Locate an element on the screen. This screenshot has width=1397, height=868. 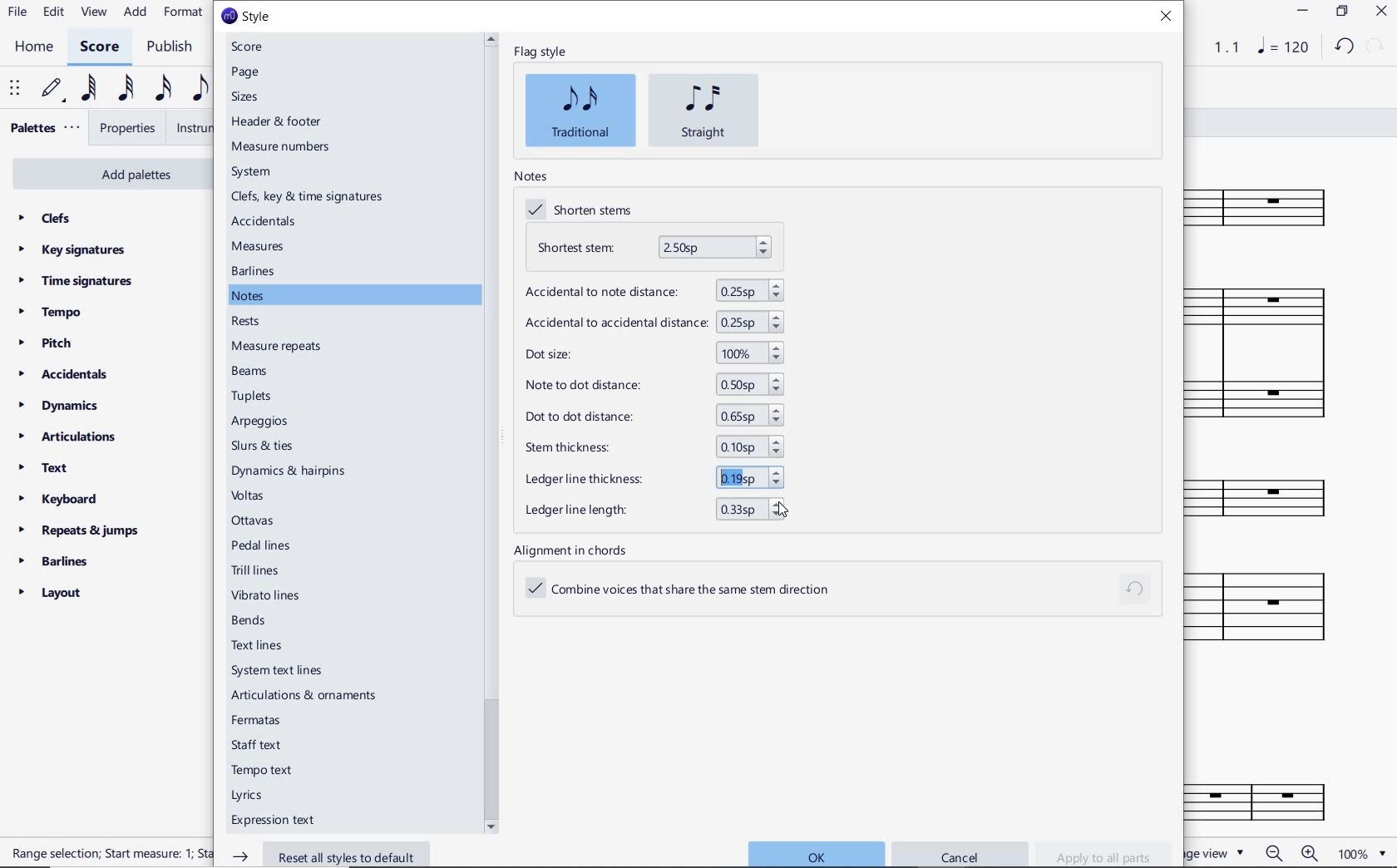
page is located at coordinates (244, 73).